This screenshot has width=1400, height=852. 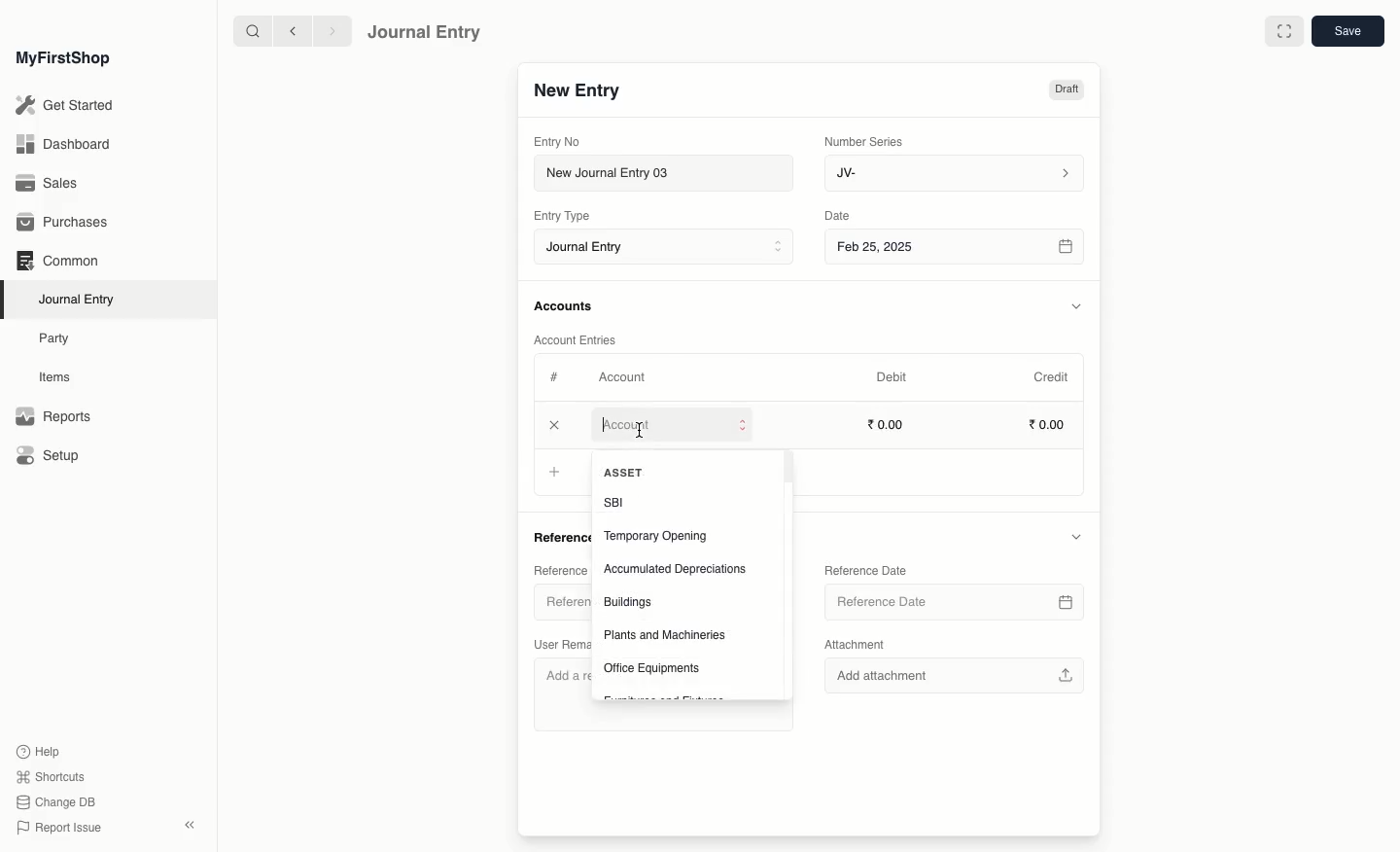 What do you see at coordinates (675, 570) in the screenshot?
I see `Accumulated Depreciations` at bounding box center [675, 570].